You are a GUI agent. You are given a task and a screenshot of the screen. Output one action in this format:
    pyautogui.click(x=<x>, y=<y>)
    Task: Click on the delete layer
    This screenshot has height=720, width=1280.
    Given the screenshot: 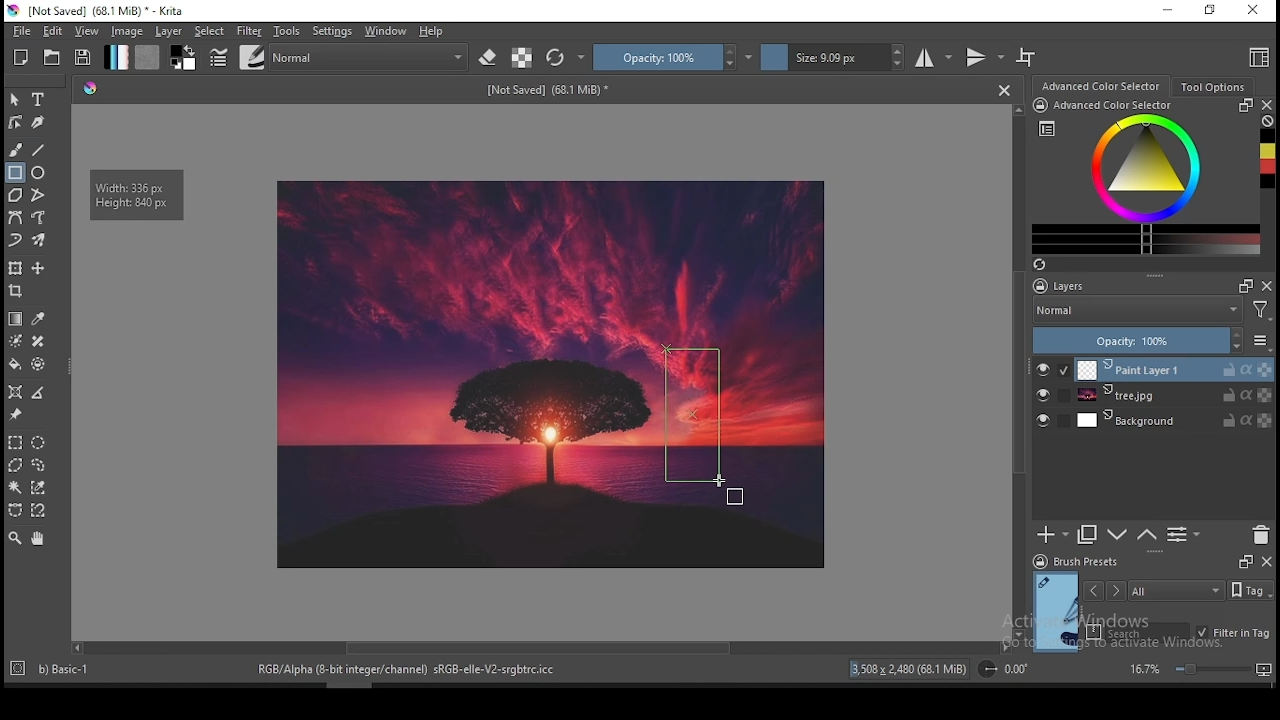 What is the action you would take?
    pyautogui.click(x=1262, y=535)
    